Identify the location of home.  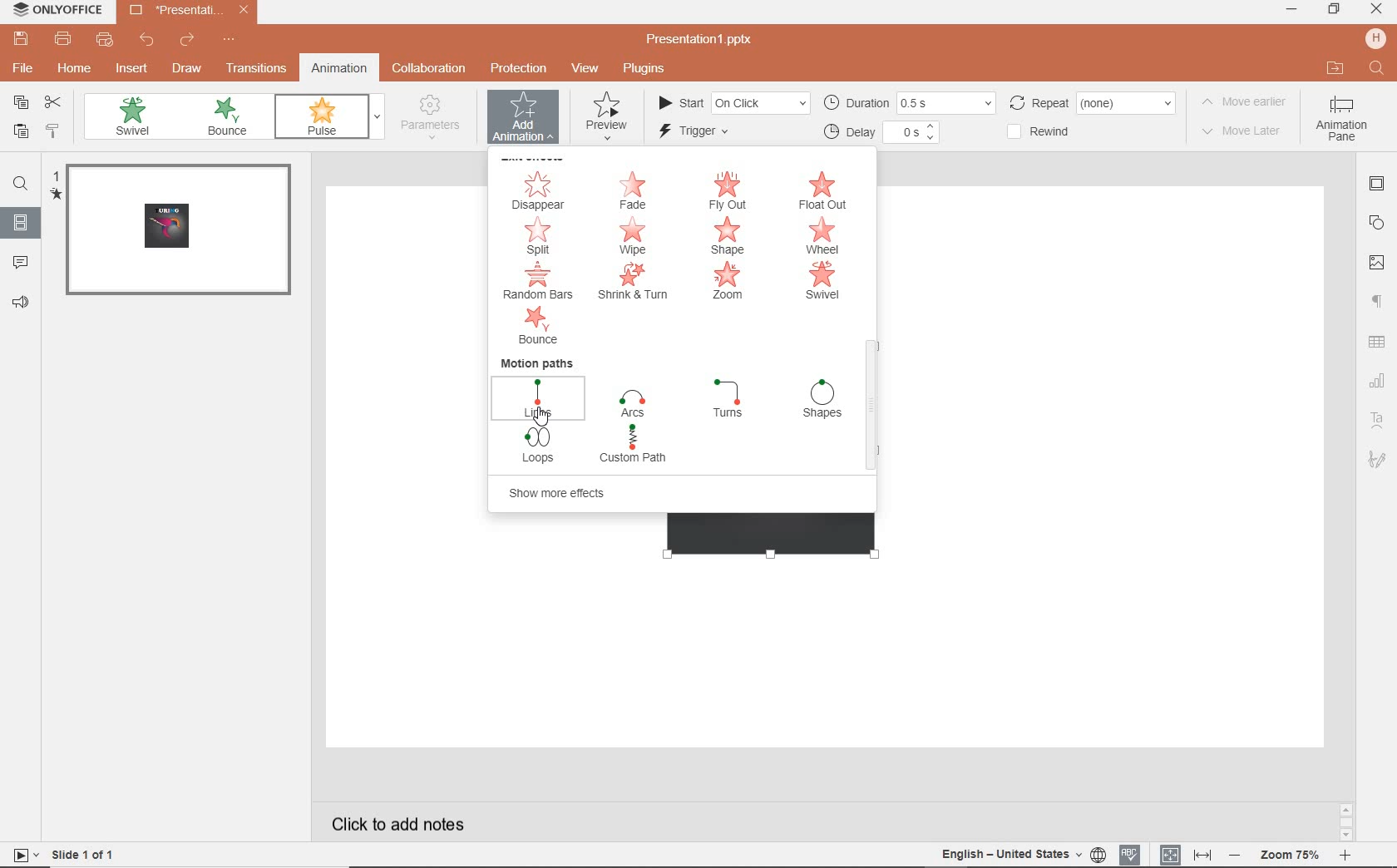
(72, 67).